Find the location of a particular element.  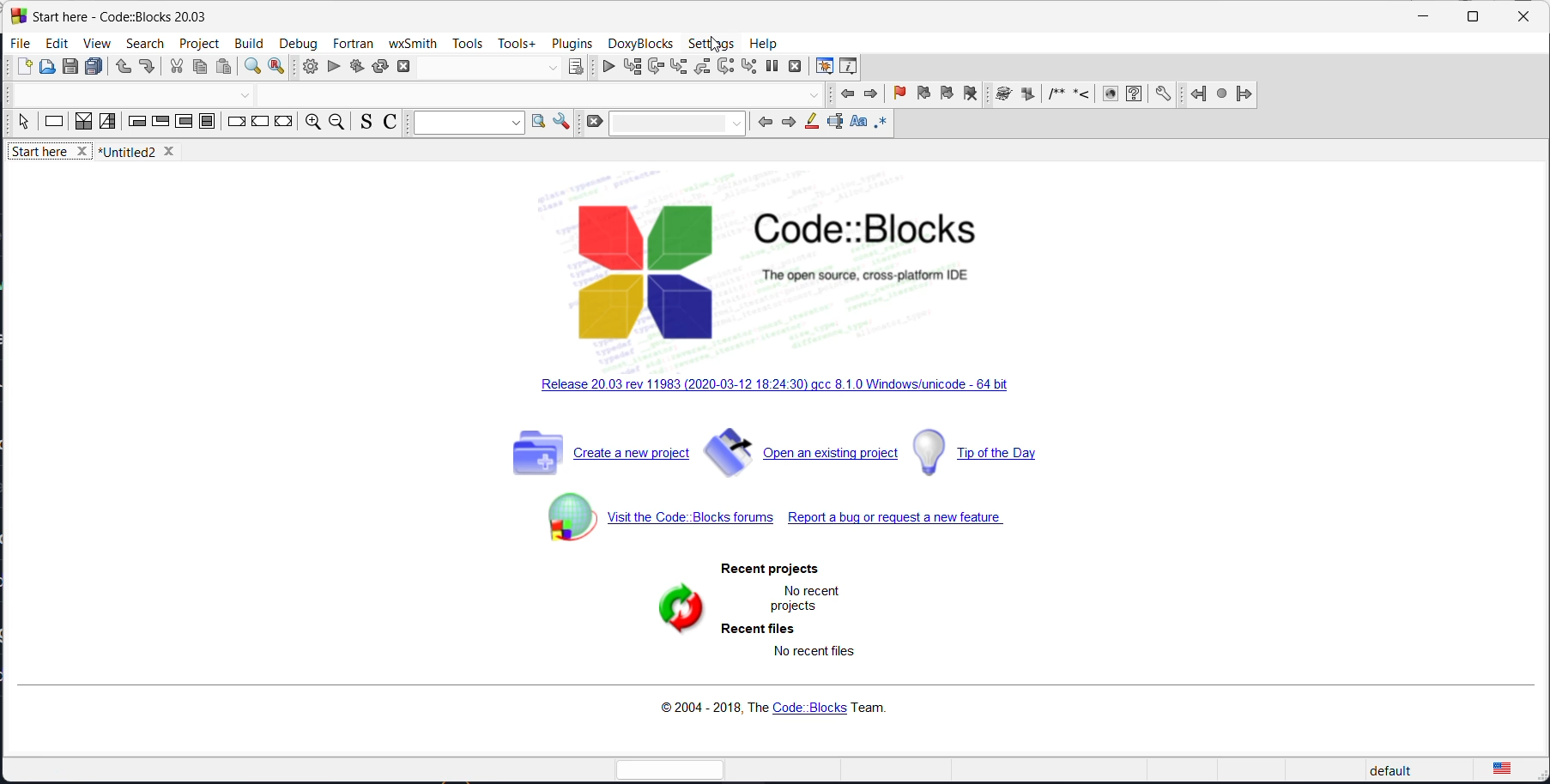

save all is located at coordinates (94, 68).